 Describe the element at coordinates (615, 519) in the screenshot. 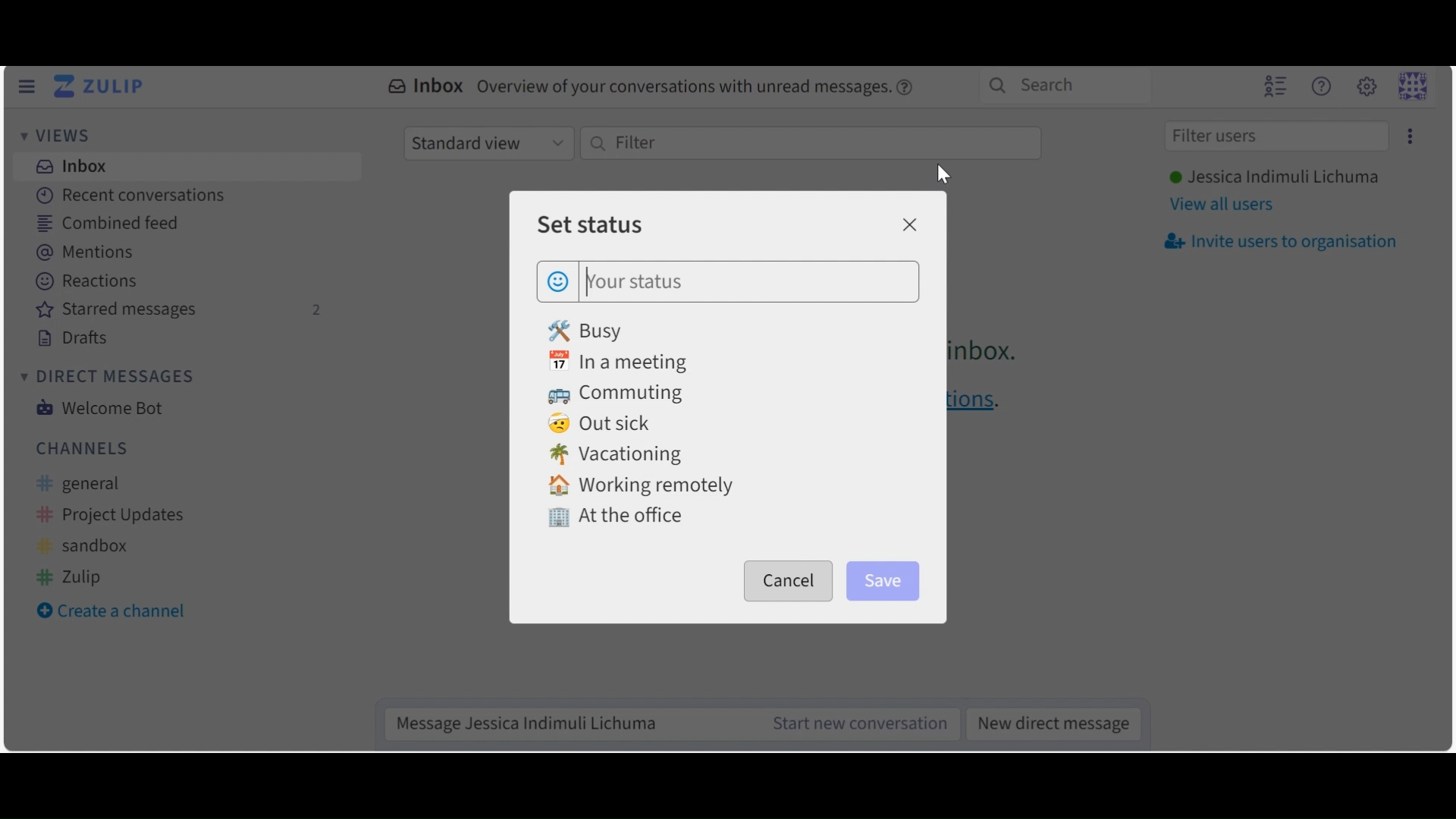

I see `At the office` at that location.